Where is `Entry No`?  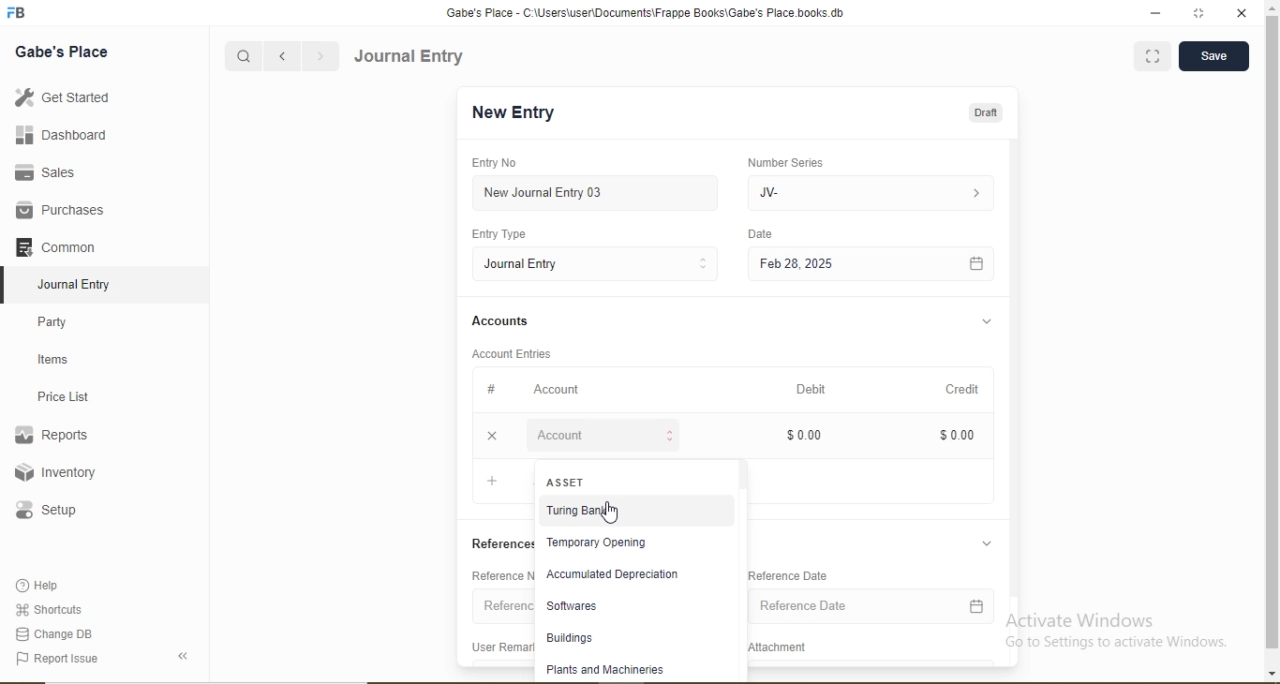
Entry No is located at coordinates (496, 162).